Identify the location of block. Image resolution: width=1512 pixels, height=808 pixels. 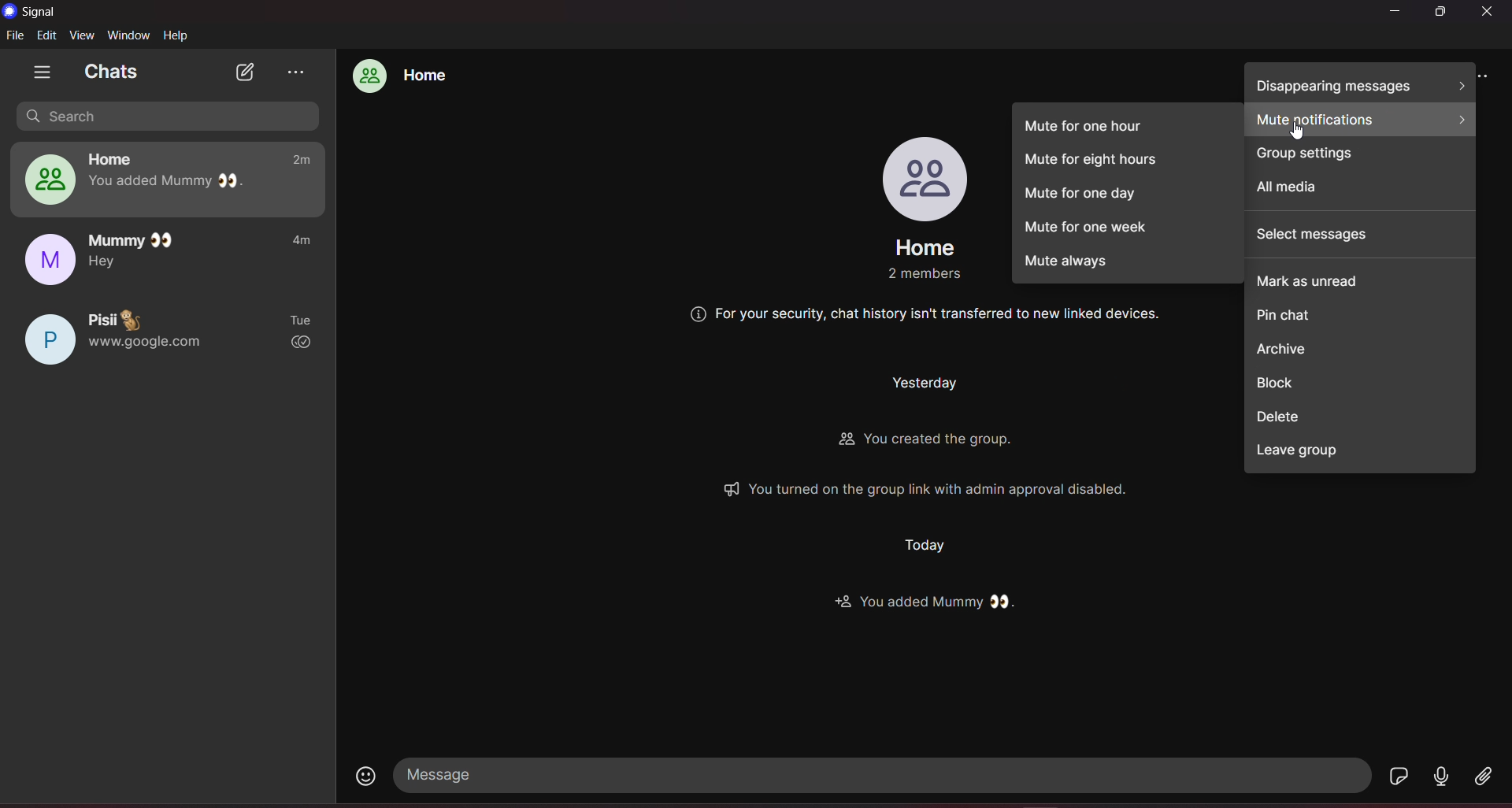
(1358, 389).